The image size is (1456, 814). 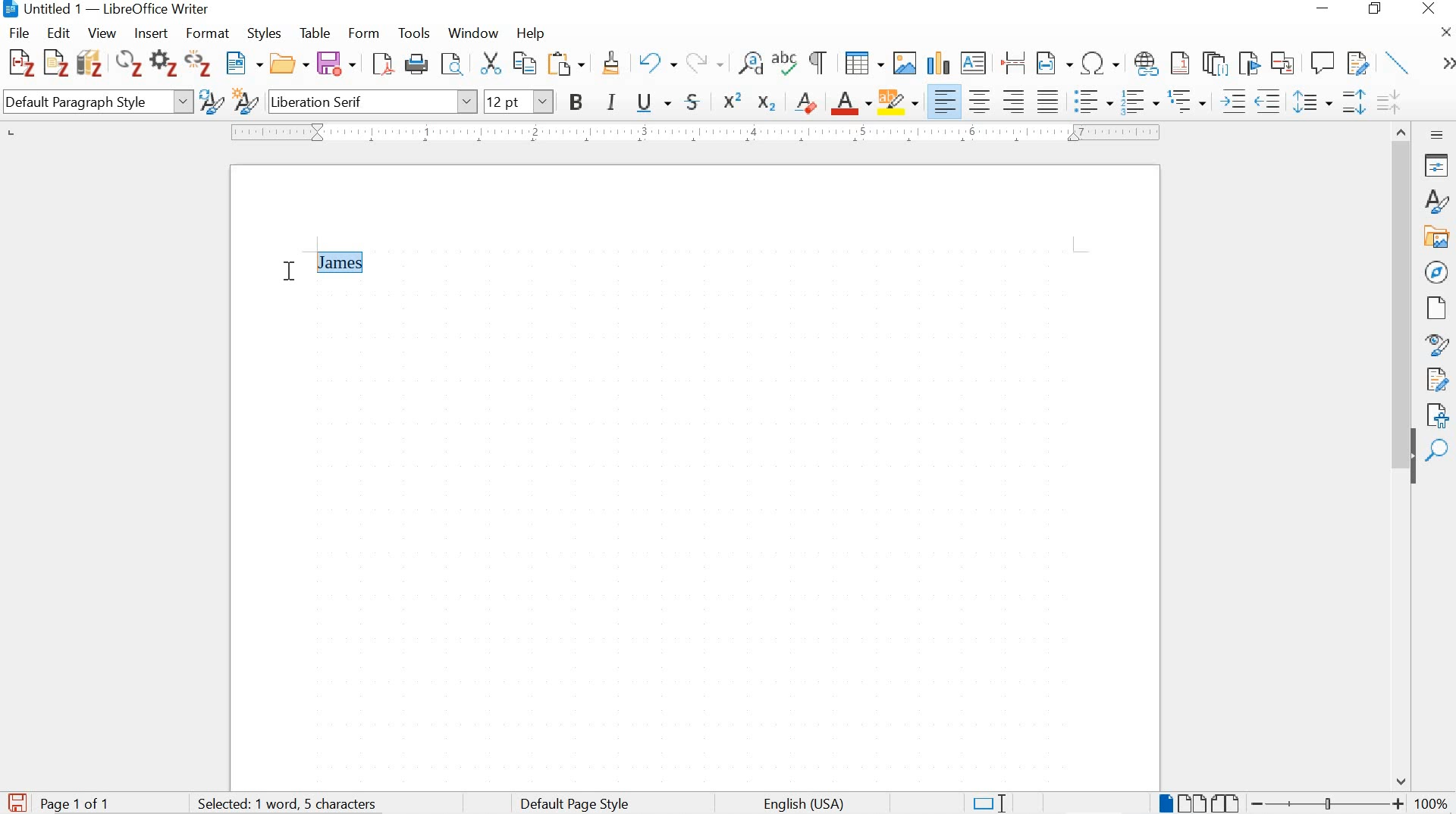 What do you see at coordinates (692, 133) in the screenshot?
I see `ruler` at bounding box center [692, 133].